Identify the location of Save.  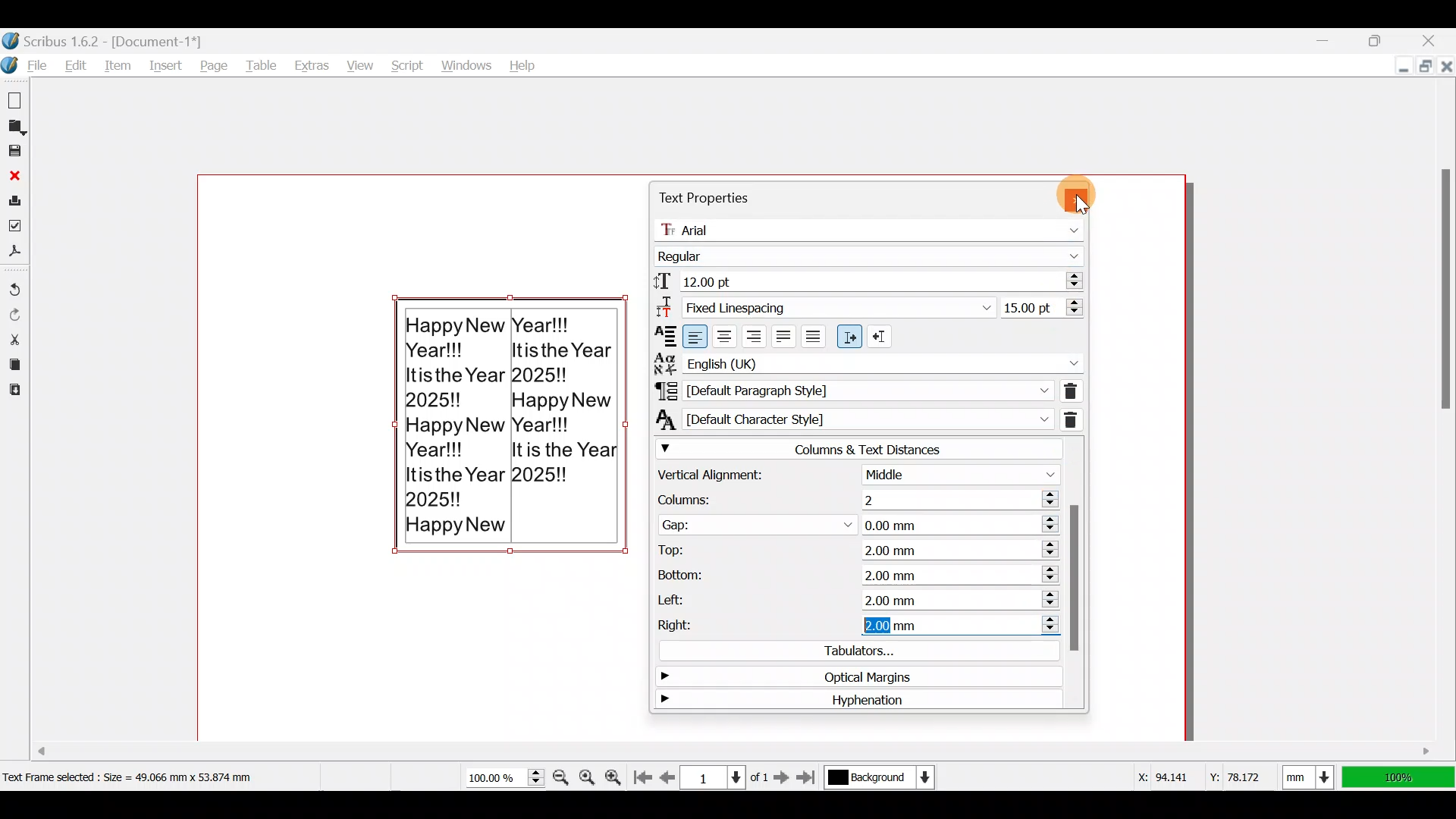
(17, 152).